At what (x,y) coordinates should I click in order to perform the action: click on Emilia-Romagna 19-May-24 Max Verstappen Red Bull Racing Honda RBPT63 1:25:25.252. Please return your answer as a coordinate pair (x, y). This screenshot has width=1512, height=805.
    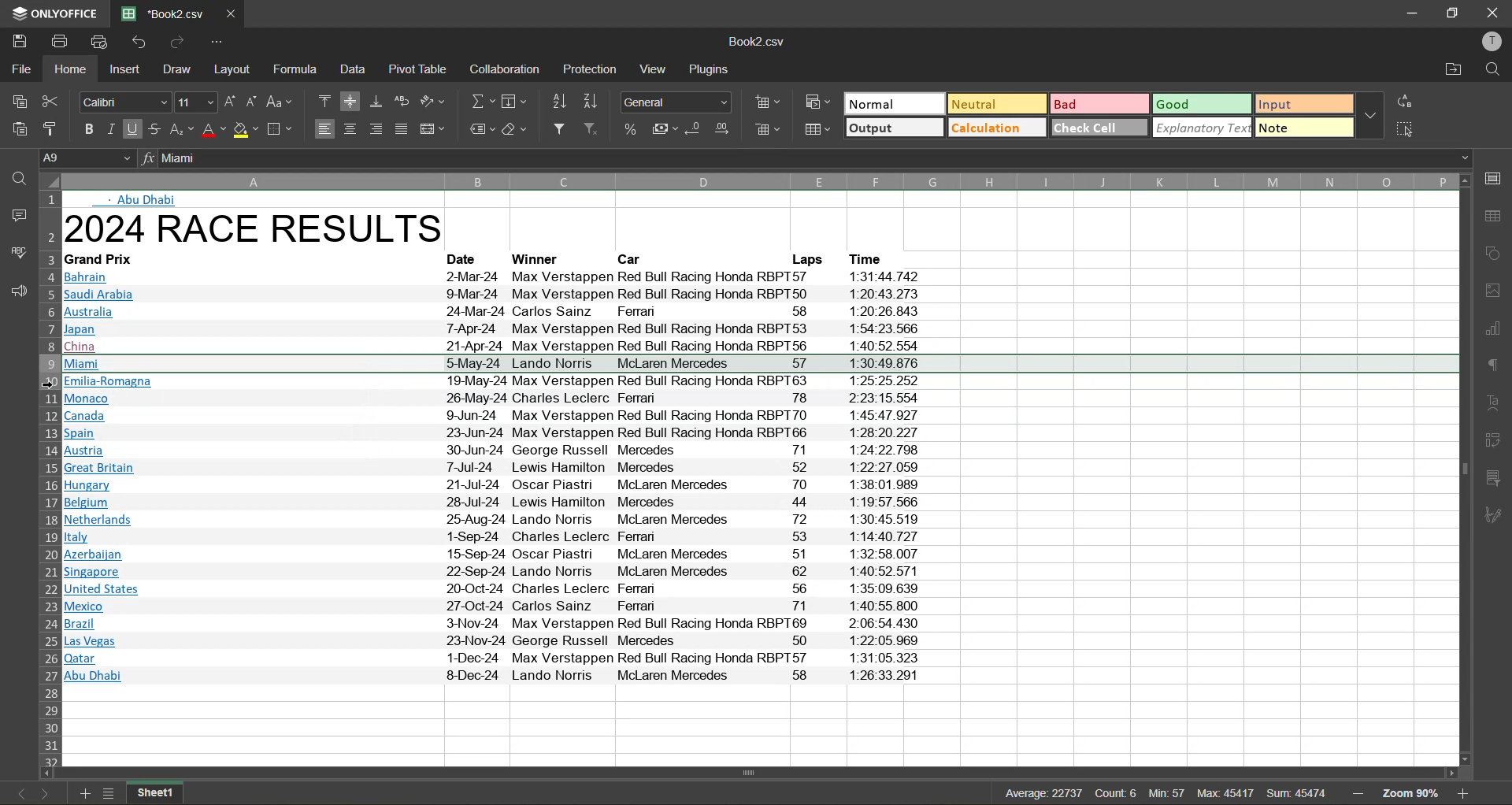
    Looking at the image, I should click on (491, 382).